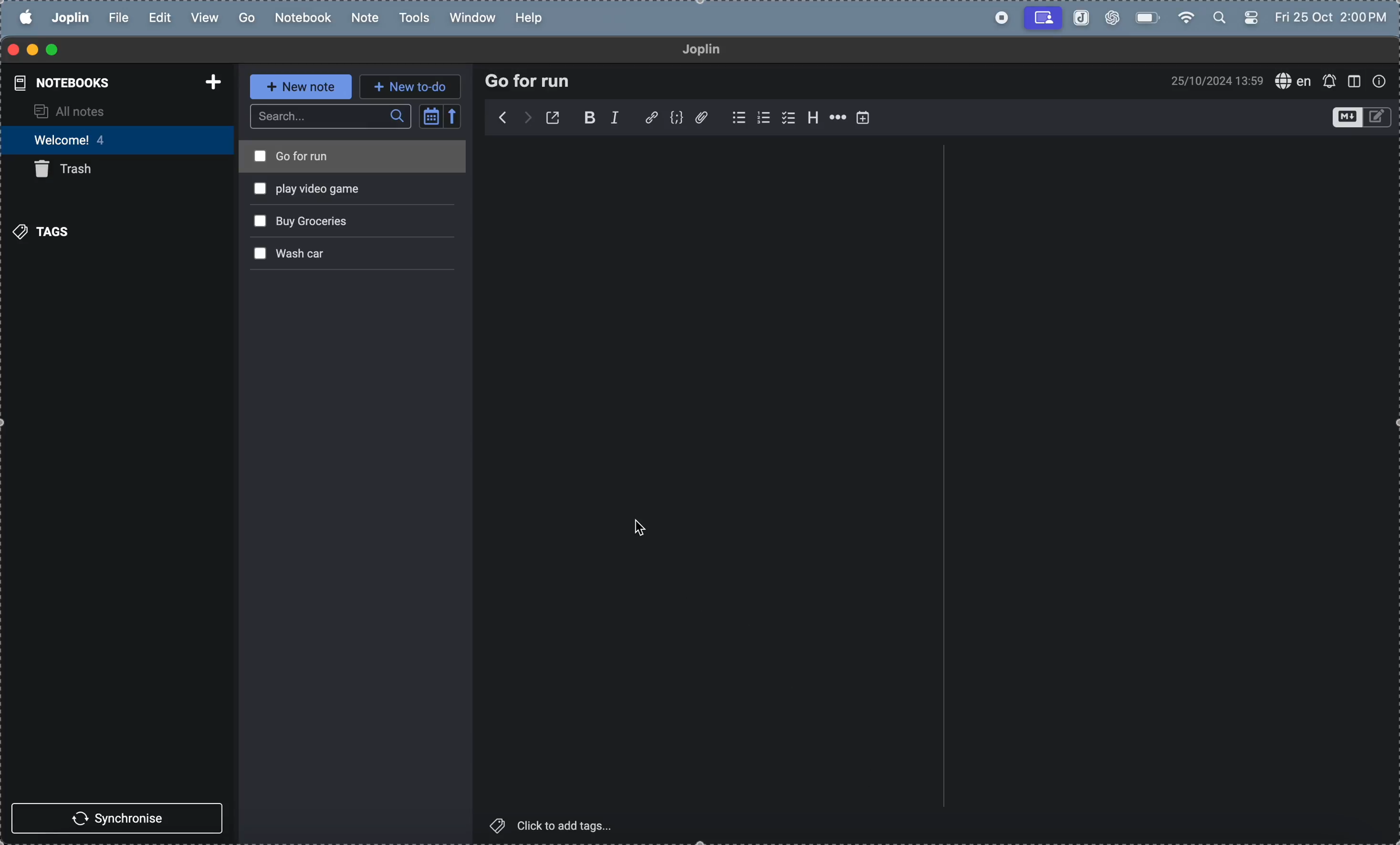  What do you see at coordinates (69, 16) in the screenshot?
I see `joplin menu` at bounding box center [69, 16].